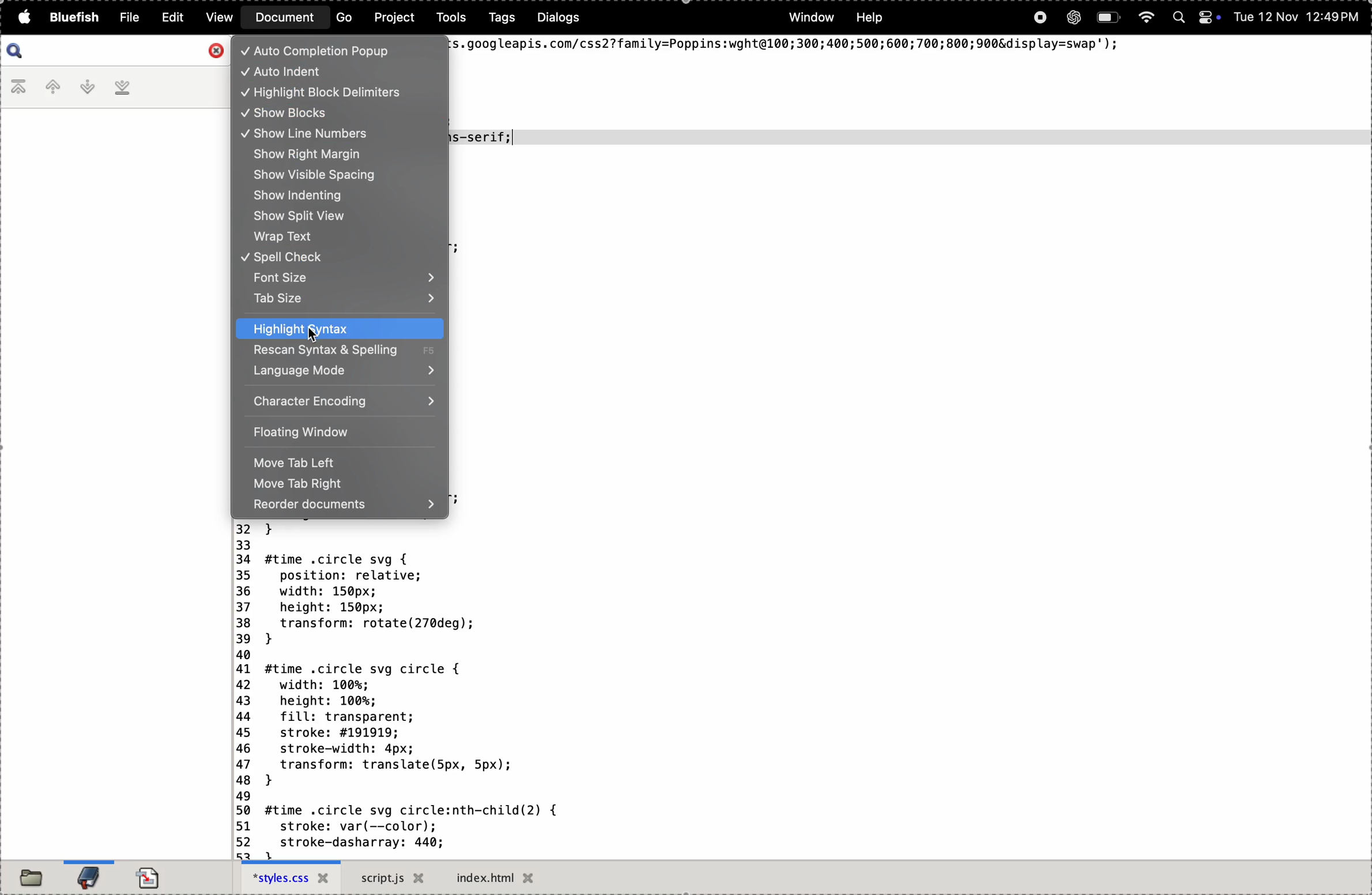  I want to click on script.js, so click(394, 879).